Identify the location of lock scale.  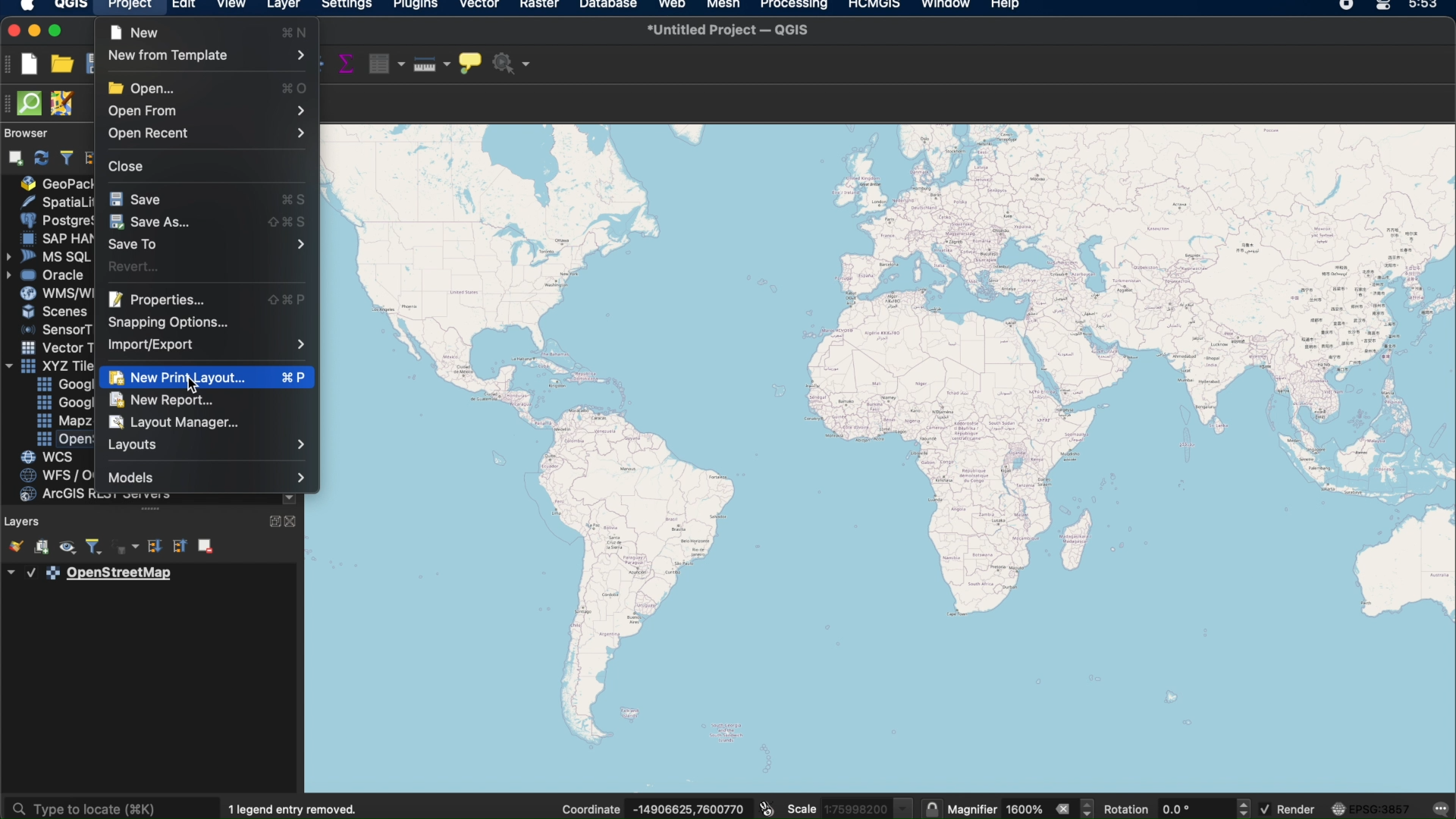
(932, 806).